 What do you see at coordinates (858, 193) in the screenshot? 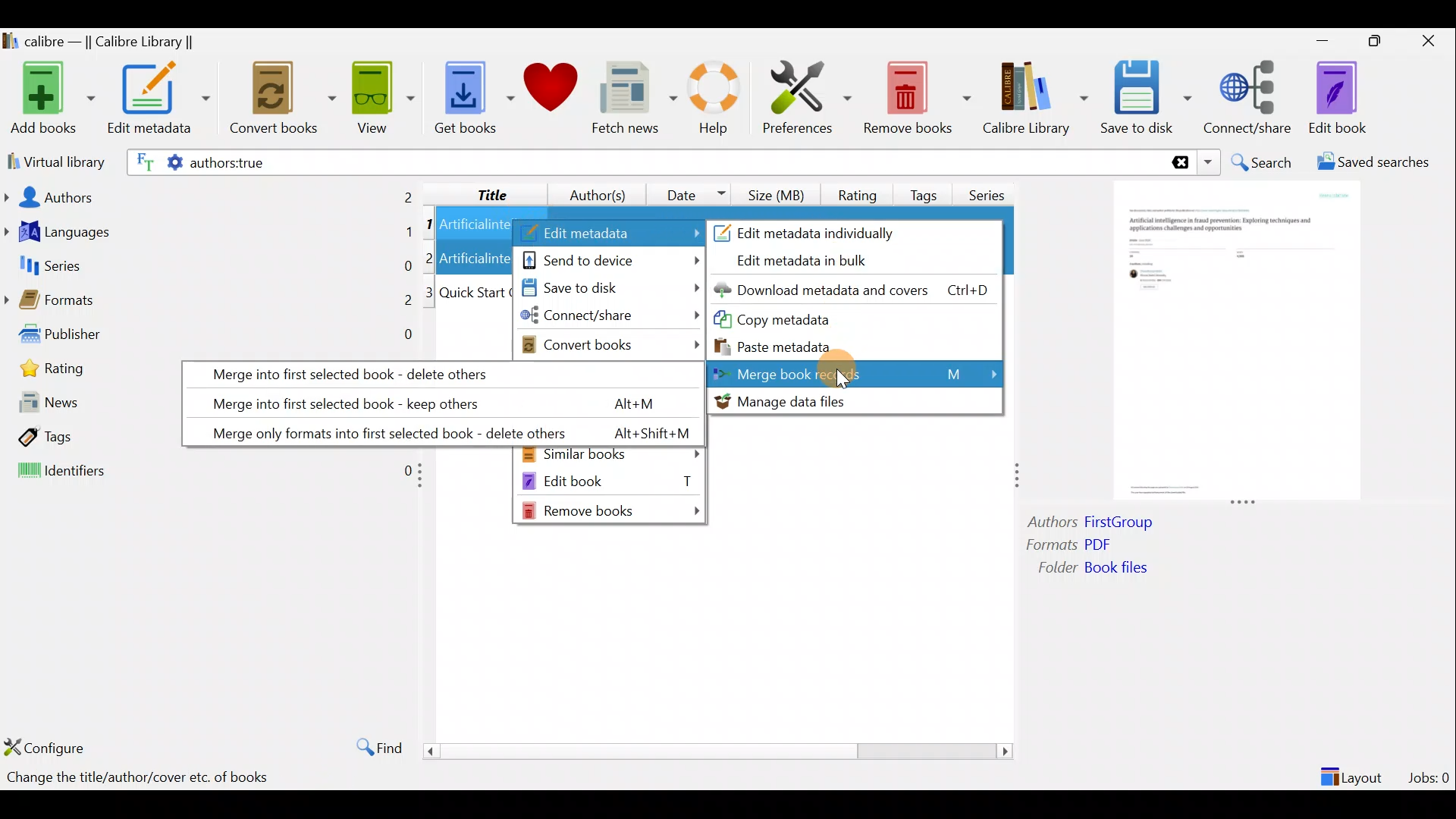
I see `Rating` at bounding box center [858, 193].